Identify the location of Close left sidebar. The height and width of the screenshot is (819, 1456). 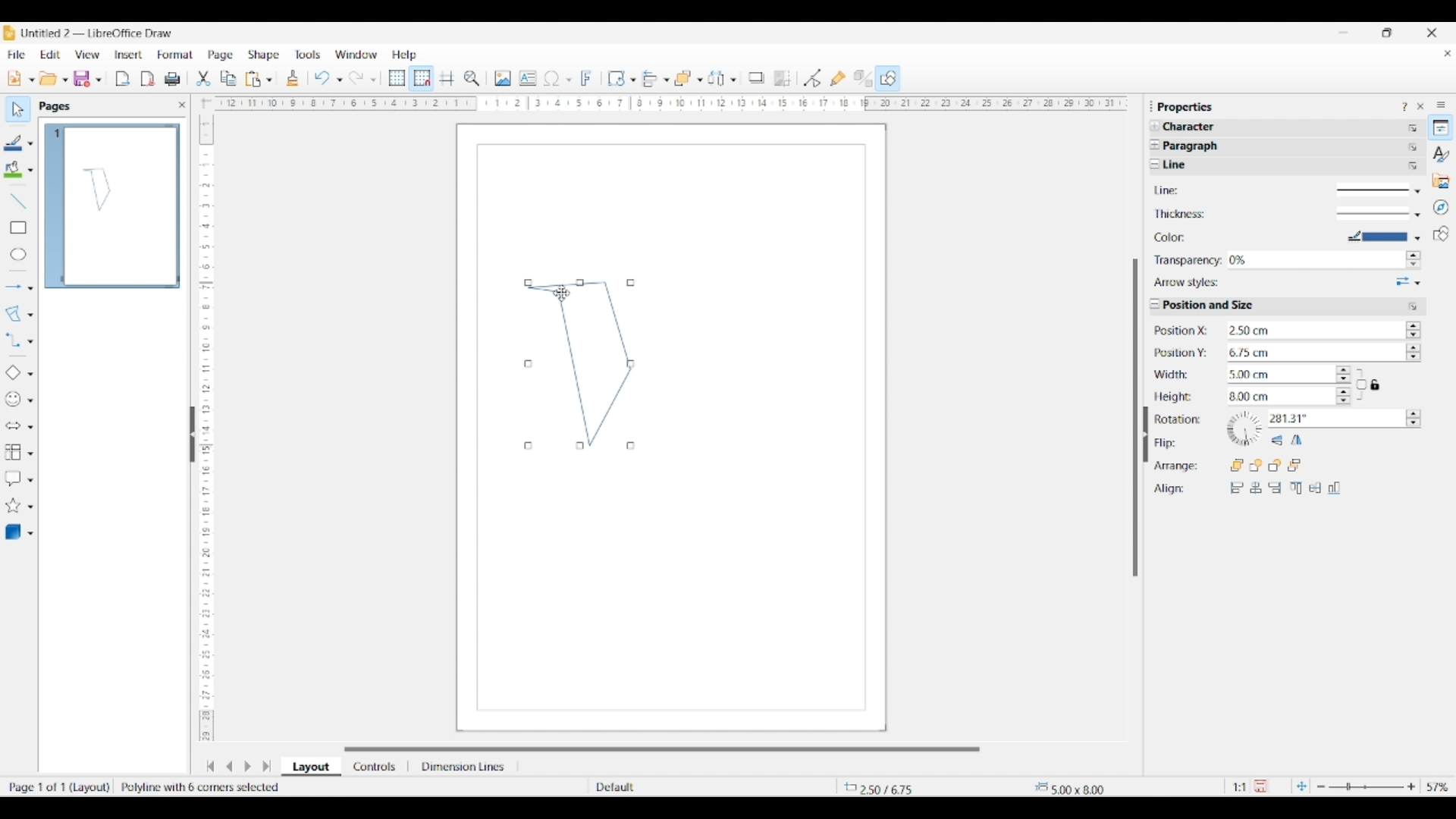
(182, 105).